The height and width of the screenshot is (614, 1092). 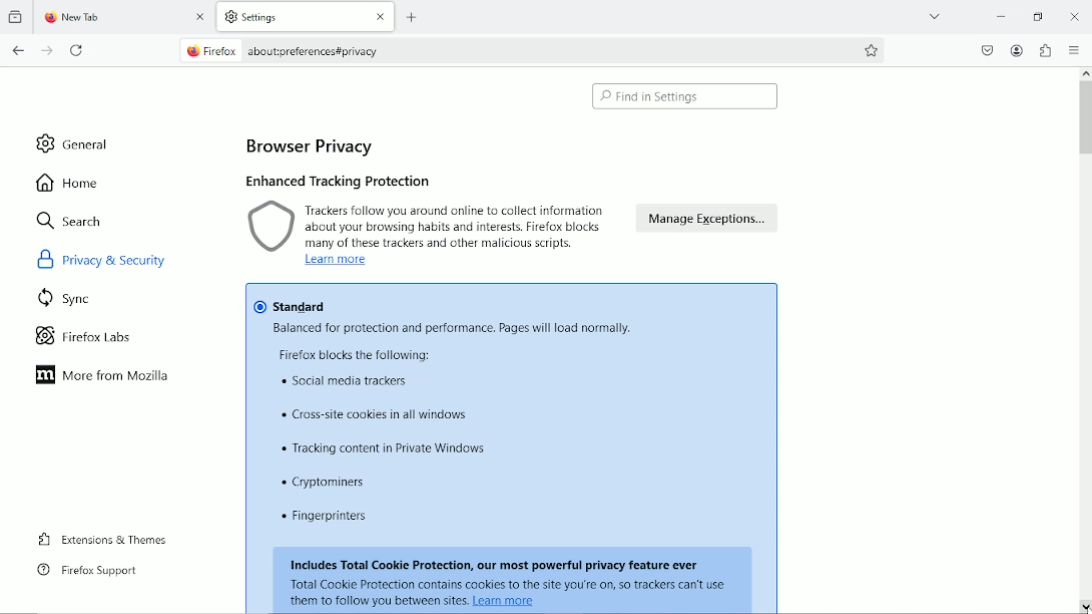 I want to click on them to follow you between sites, so click(x=378, y=603).